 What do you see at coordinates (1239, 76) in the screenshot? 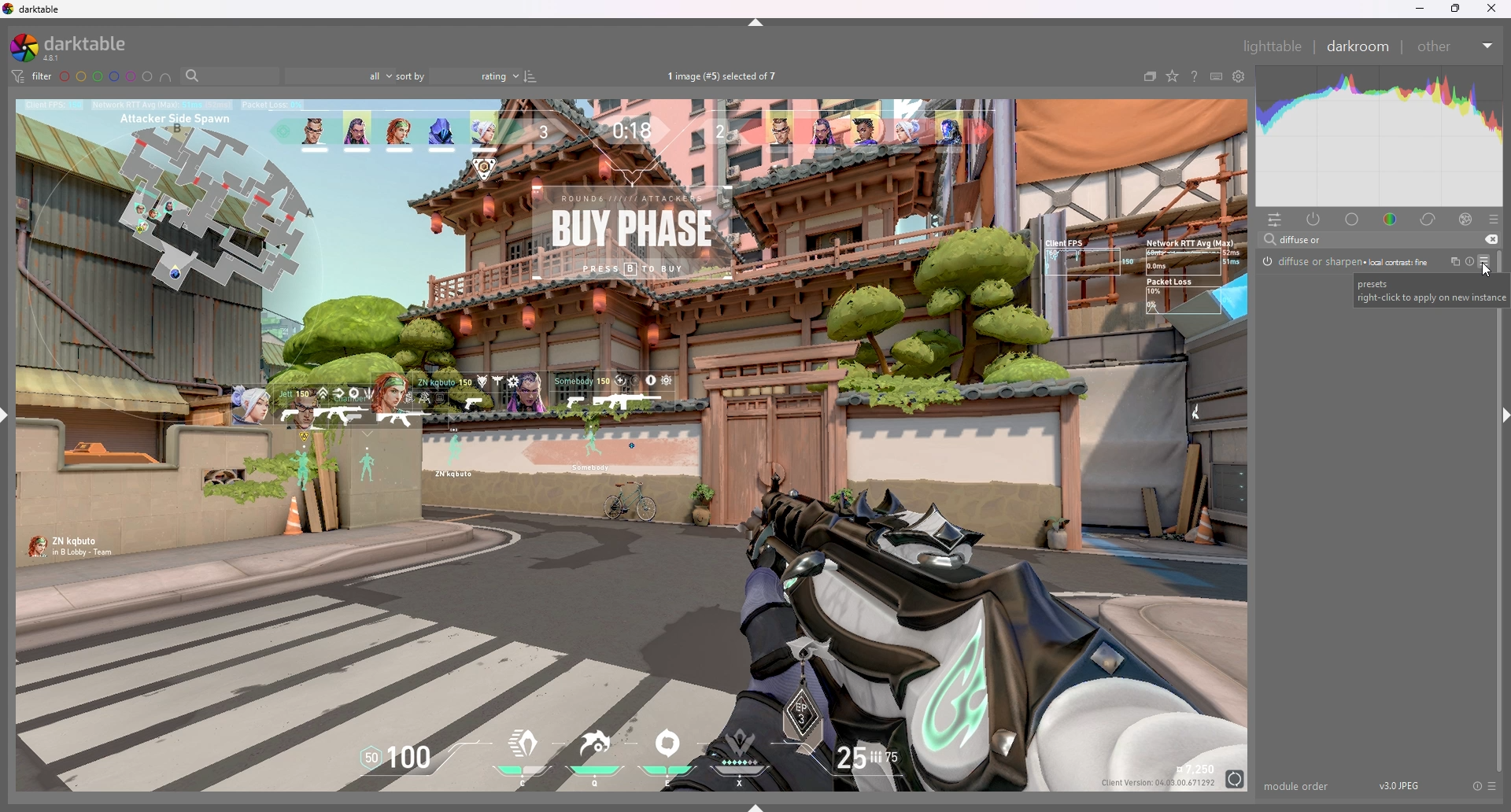
I see `show global preferences` at bounding box center [1239, 76].